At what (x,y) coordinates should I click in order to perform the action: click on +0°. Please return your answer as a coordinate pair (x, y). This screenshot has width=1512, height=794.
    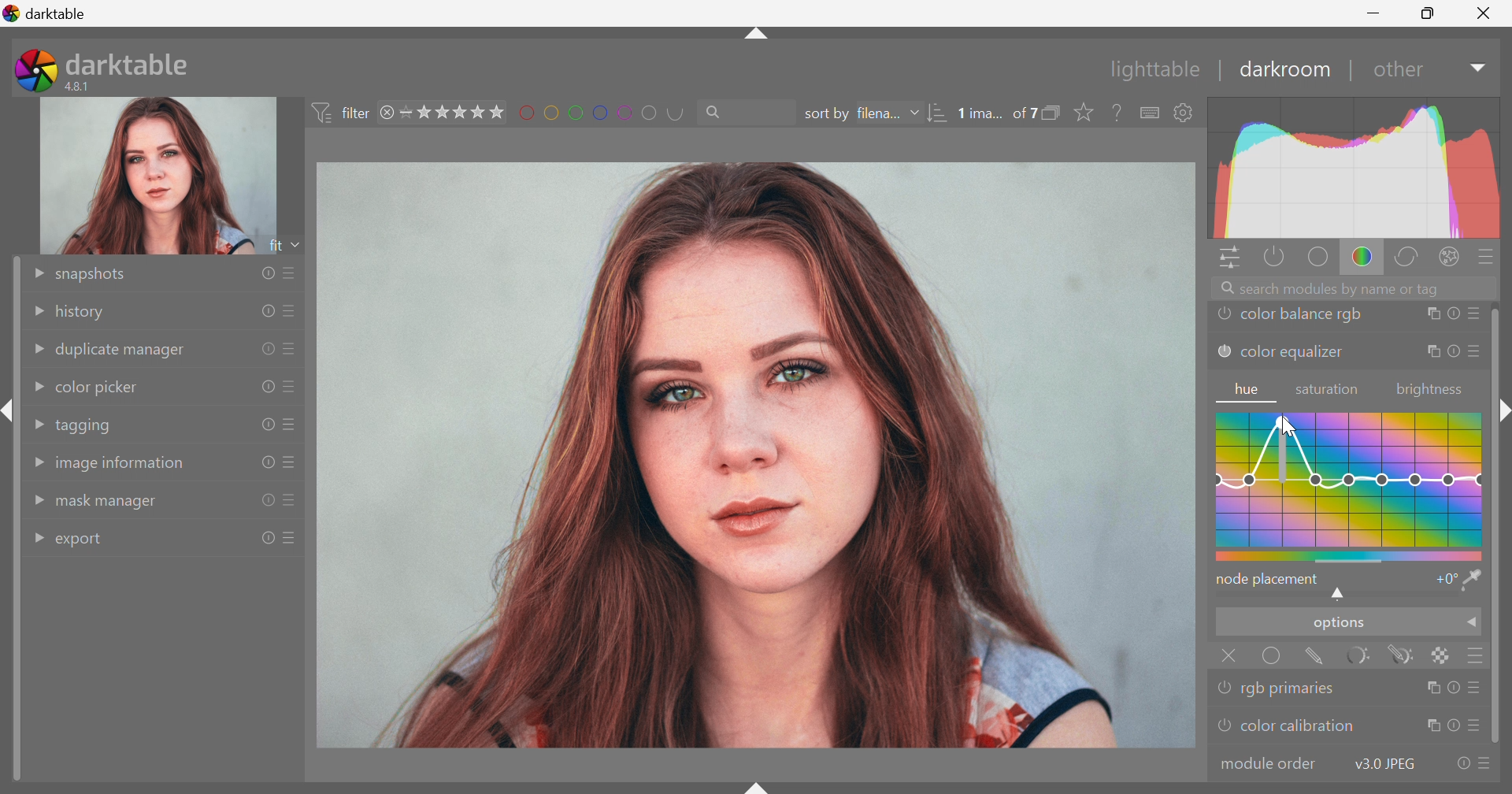
    Looking at the image, I should click on (1443, 581).